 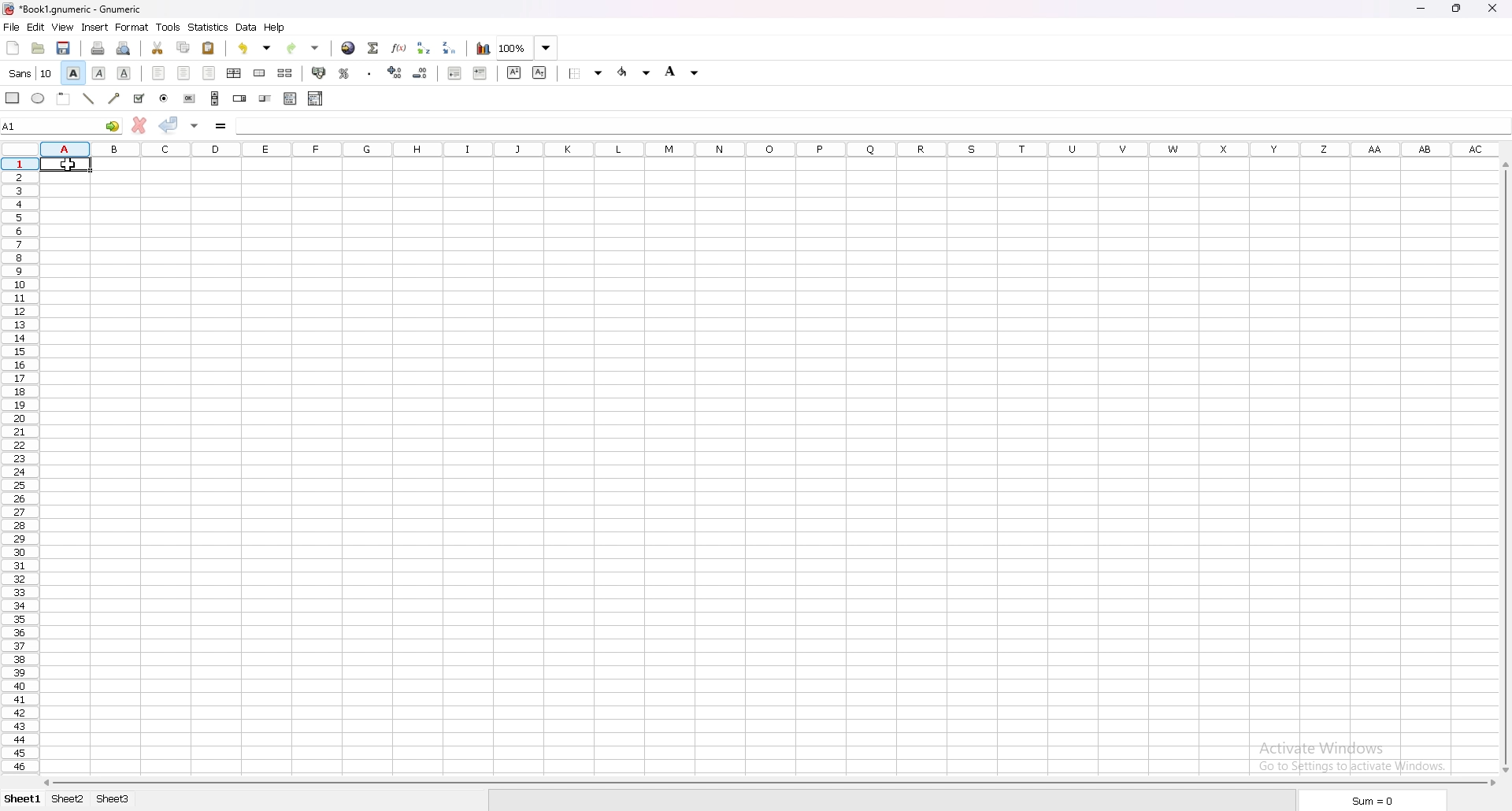 What do you see at coordinates (184, 73) in the screenshot?
I see `center` at bounding box center [184, 73].